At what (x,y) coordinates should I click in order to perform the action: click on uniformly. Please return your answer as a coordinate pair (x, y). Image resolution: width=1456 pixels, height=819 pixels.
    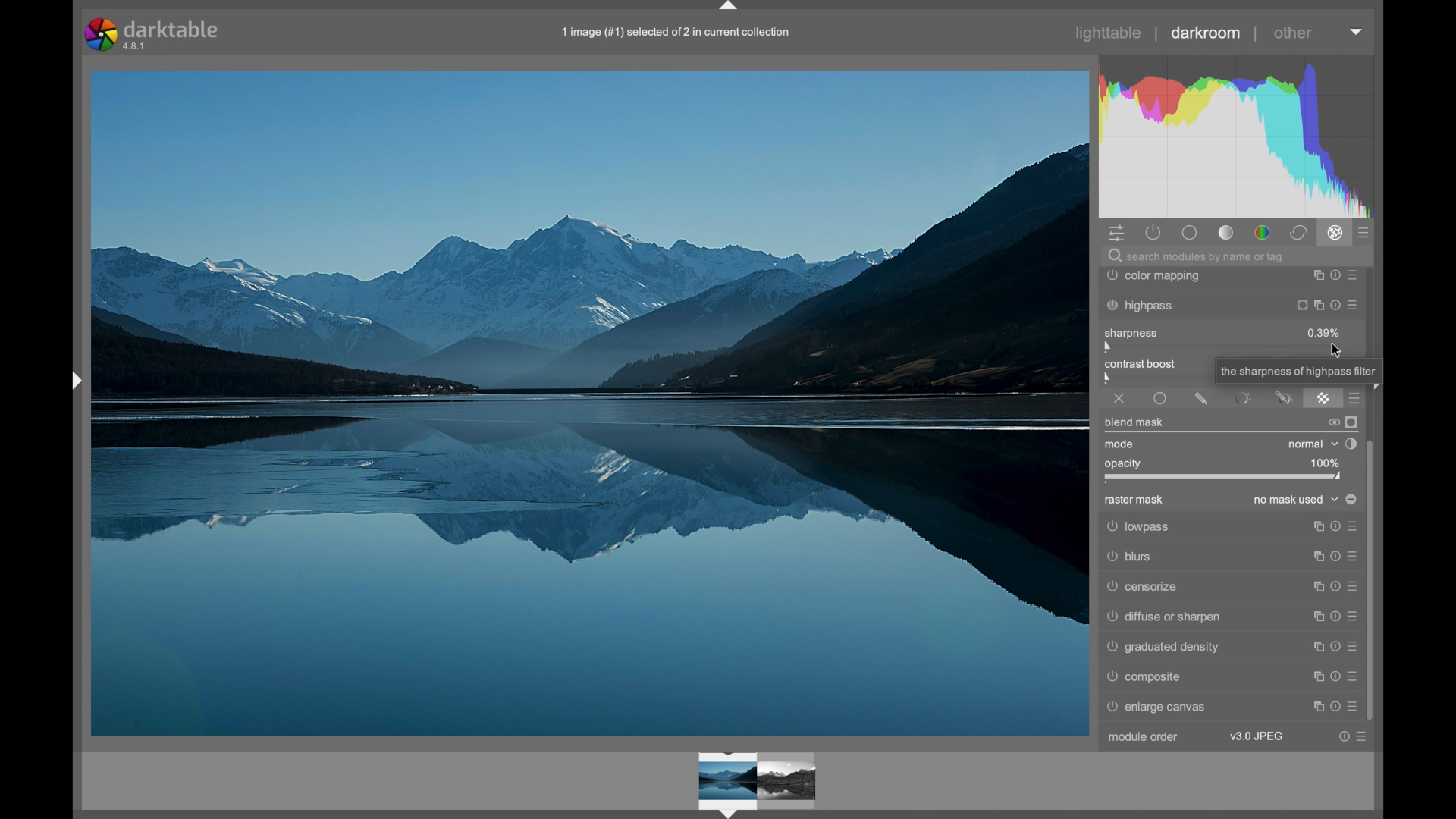
    Looking at the image, I should click on (1160, 398).